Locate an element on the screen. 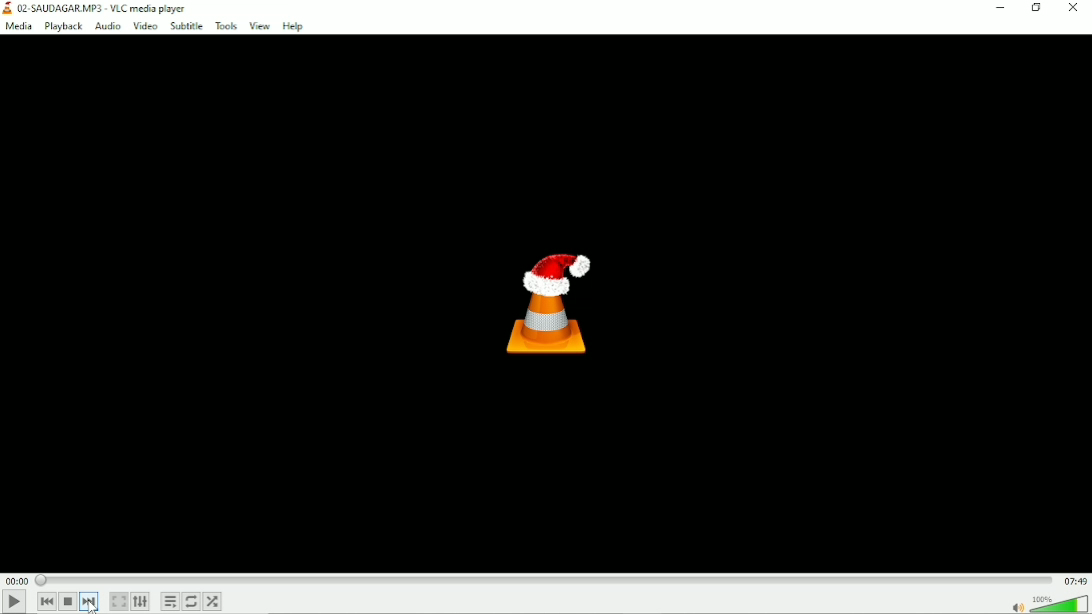 This screenshot has width=1092, height=614. Help is located at coordinates (294, 25).